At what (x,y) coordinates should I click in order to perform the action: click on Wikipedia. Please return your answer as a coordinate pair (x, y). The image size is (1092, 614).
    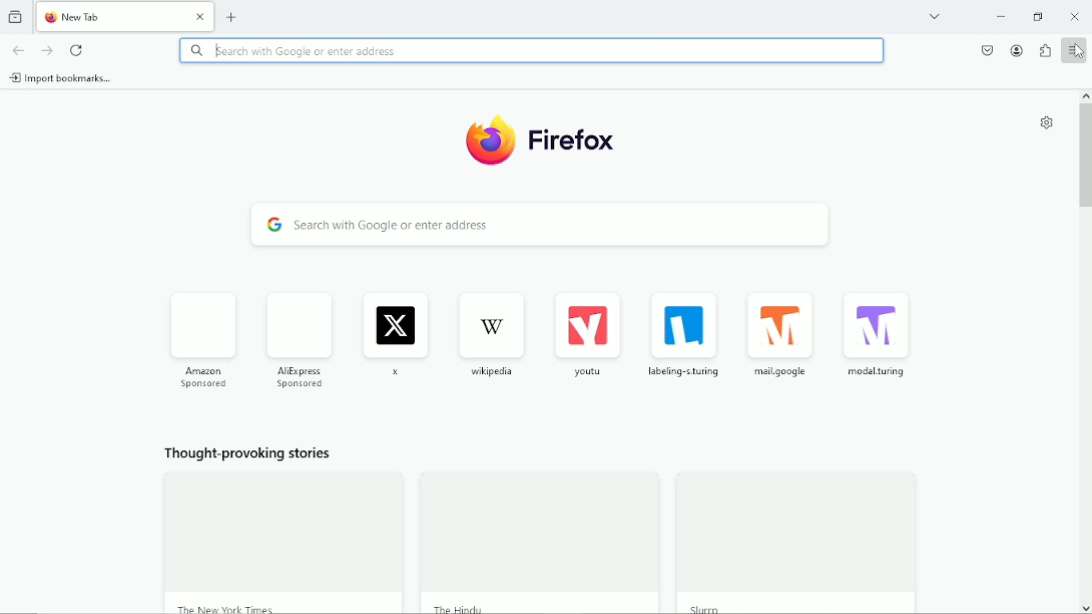
    Looking at the image, I should click on (494, 334).